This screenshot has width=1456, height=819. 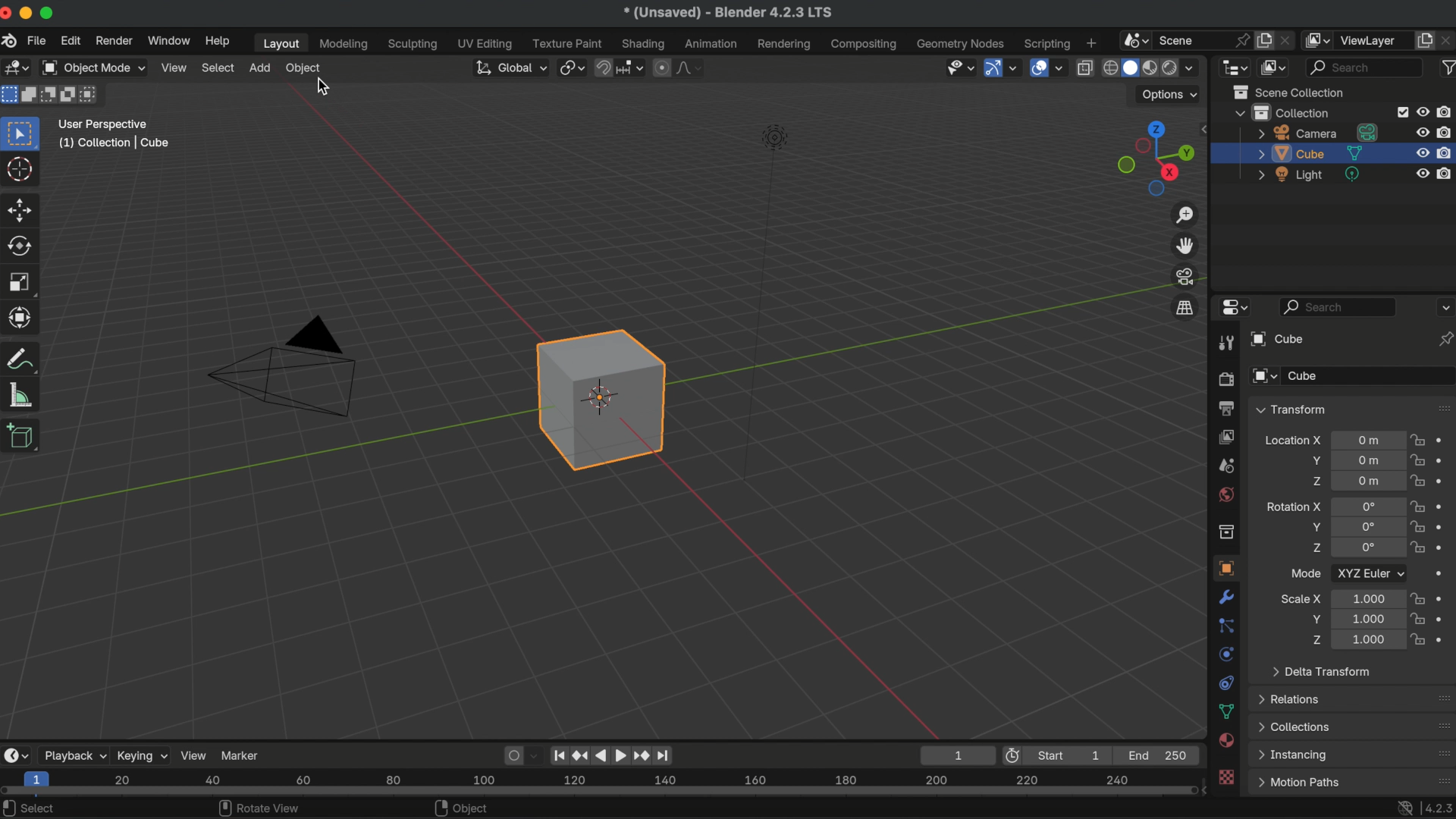 What do you see at coordinates (1423, 131) in the screenshot?
I see `hide in viewport` at bounding box center [1423, 131].